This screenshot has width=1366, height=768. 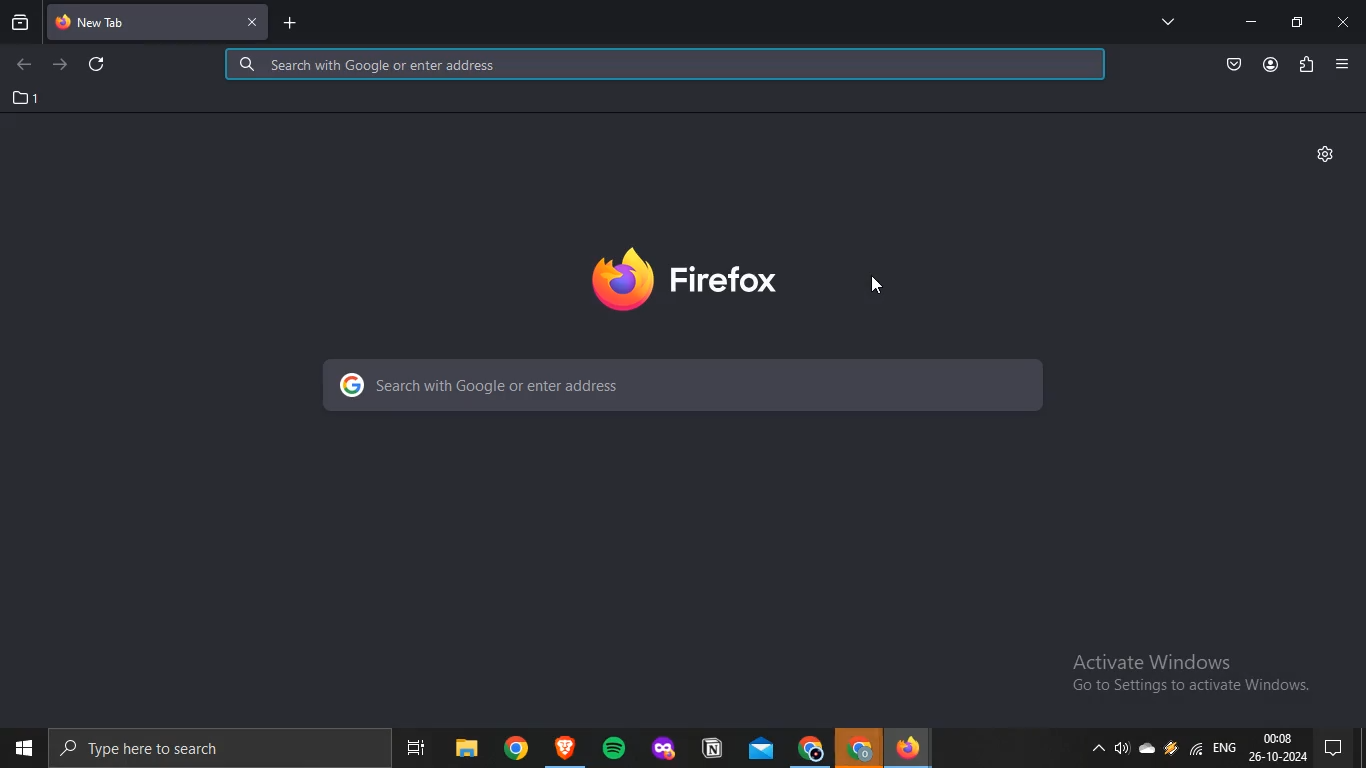 I want to click on mail, so click(x=758, y=744).